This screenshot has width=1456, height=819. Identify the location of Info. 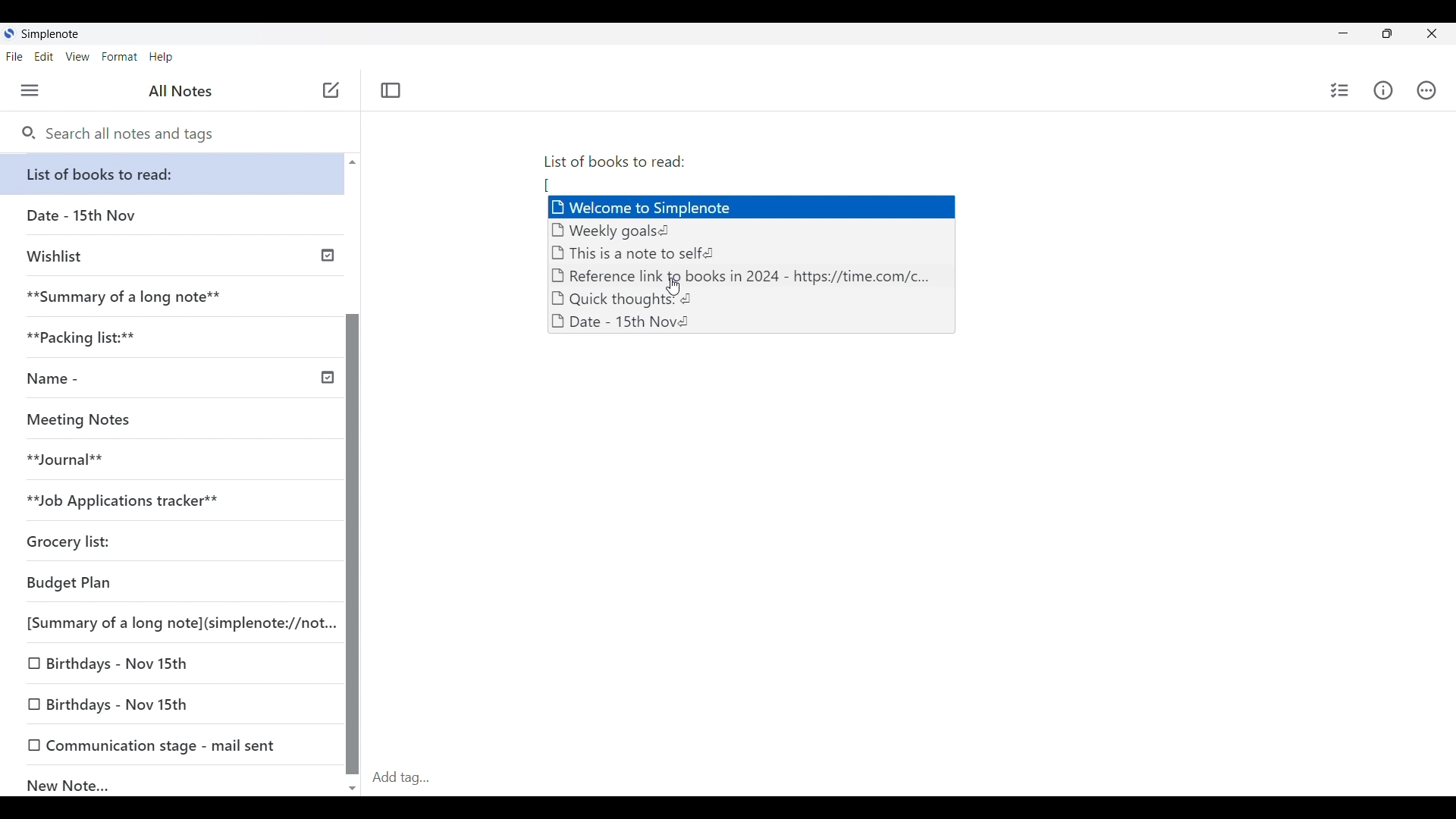
(1383, 90).